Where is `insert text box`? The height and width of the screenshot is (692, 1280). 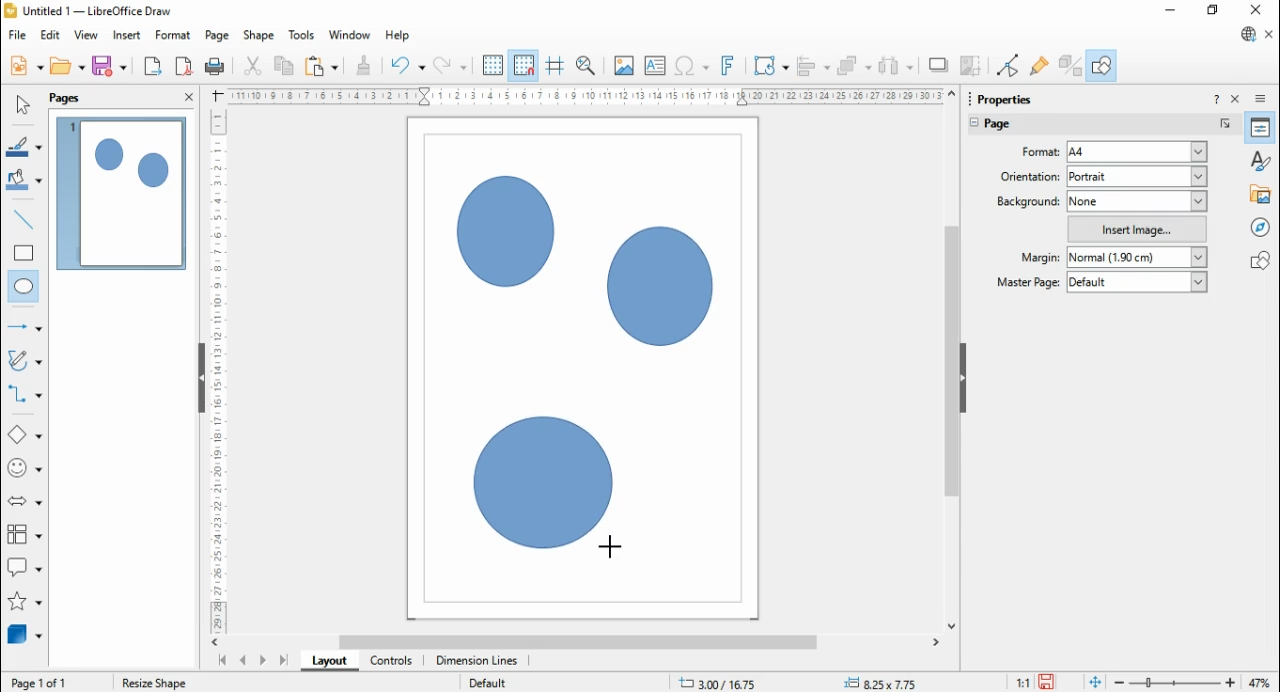 insert text box is located at coordinates (654, 65).